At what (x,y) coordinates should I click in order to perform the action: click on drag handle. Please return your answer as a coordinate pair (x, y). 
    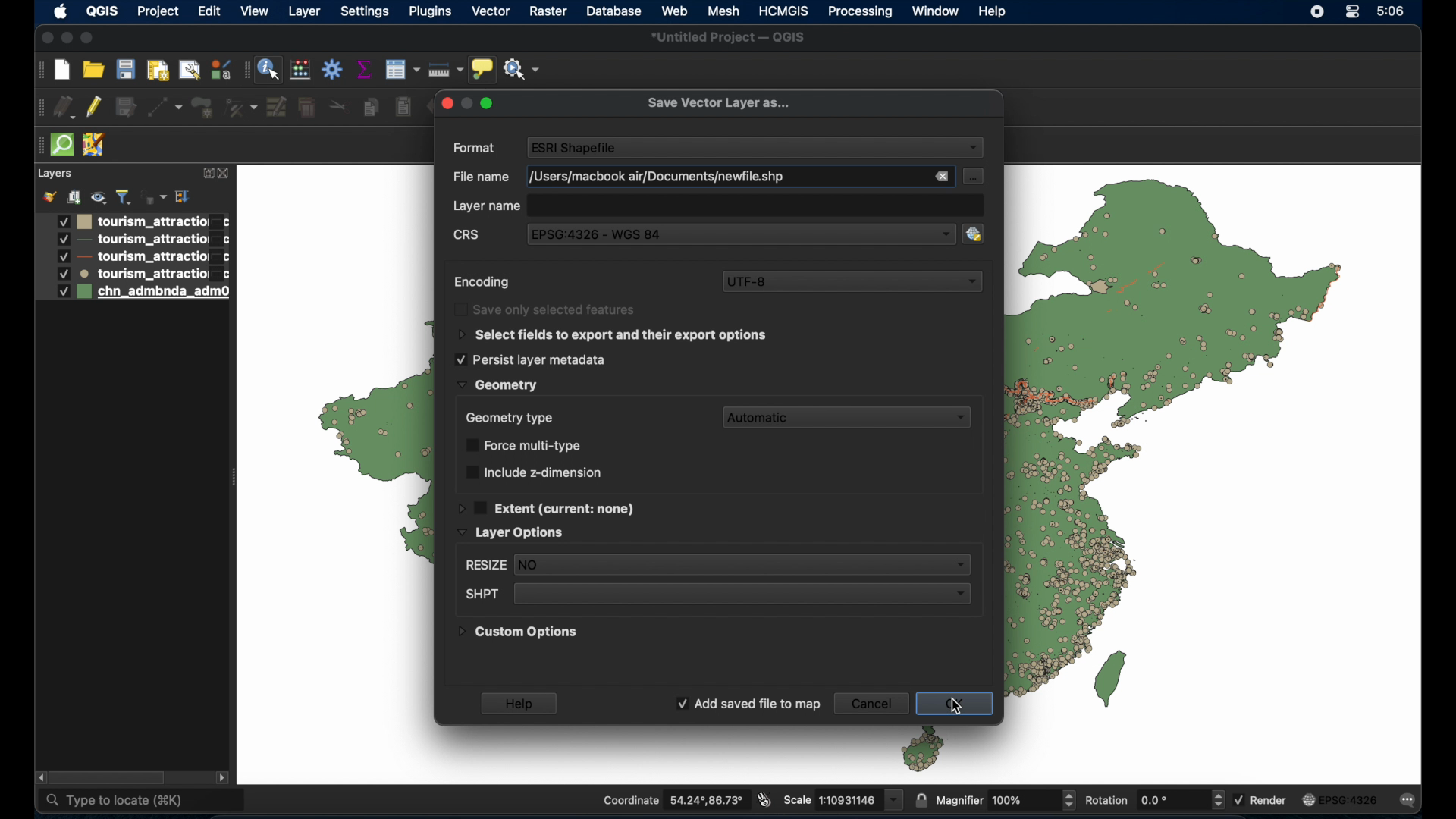
    Looking at the image, I should click on (39, 70).